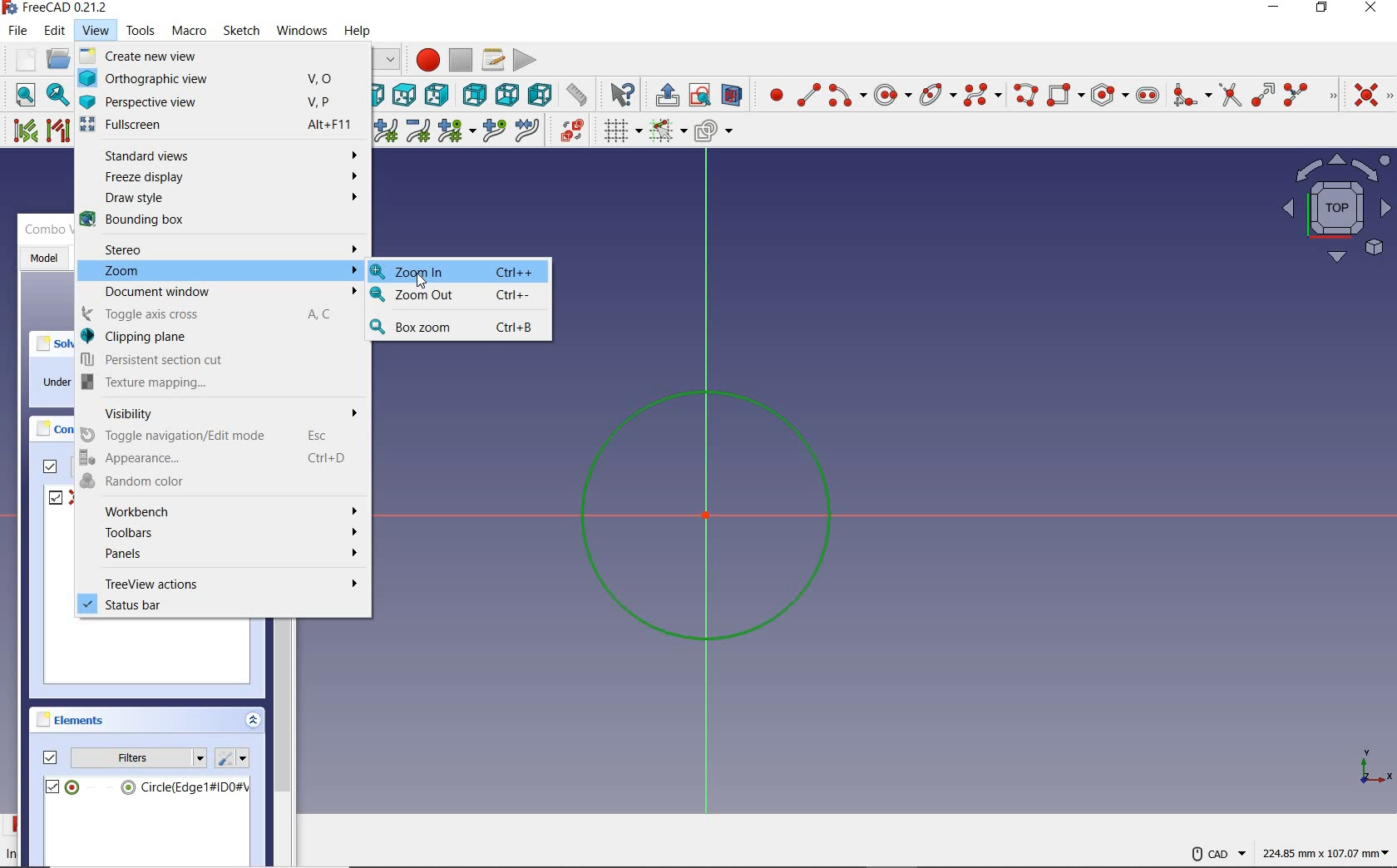 The height and width of the screenshot is (868, 1397). I want to click on create fillet, so click(1190, 96).